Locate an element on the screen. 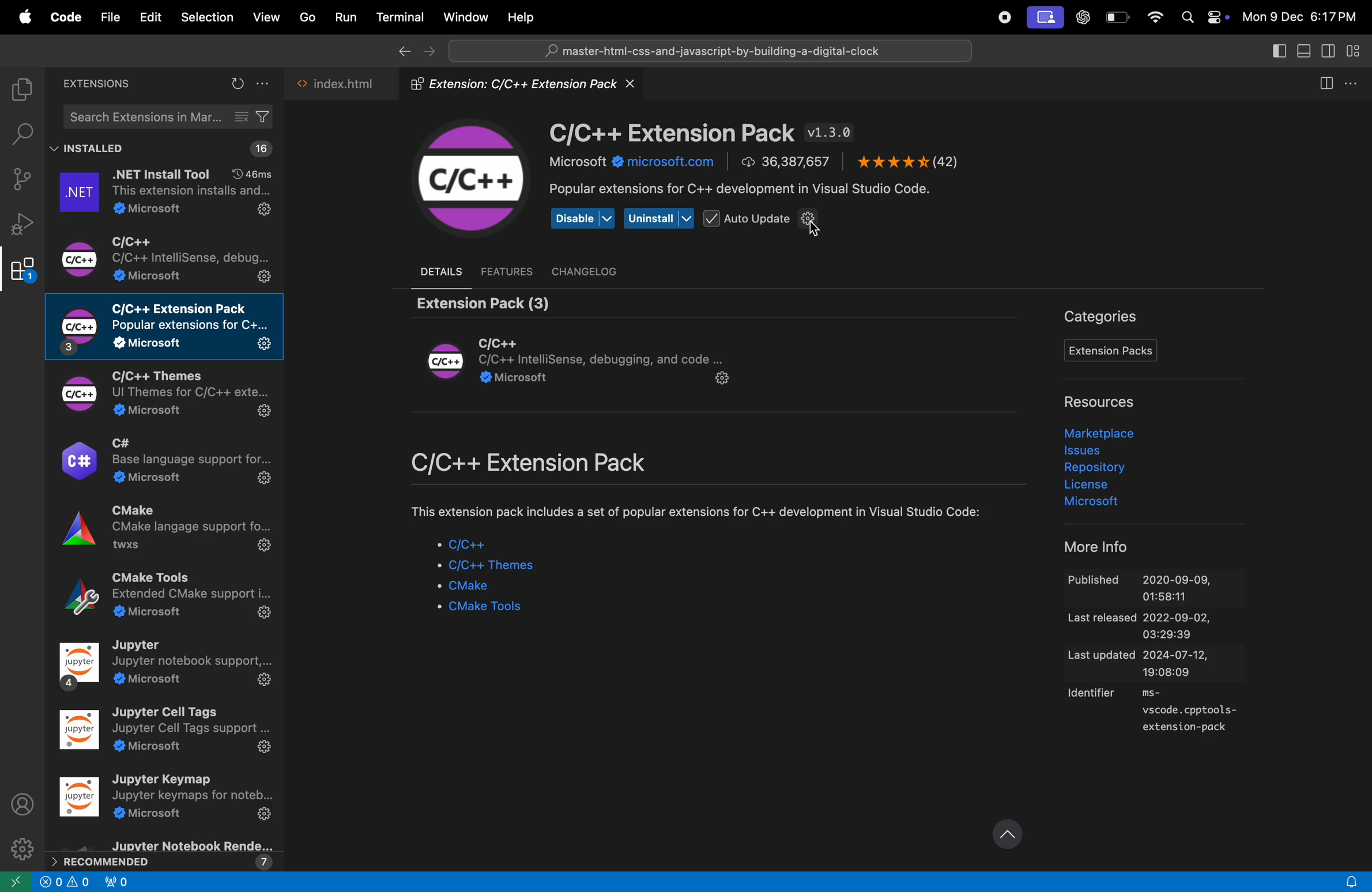 The height and width of the screenshot is (892, 1372). customize layout is located at coordinates (1358, 50).